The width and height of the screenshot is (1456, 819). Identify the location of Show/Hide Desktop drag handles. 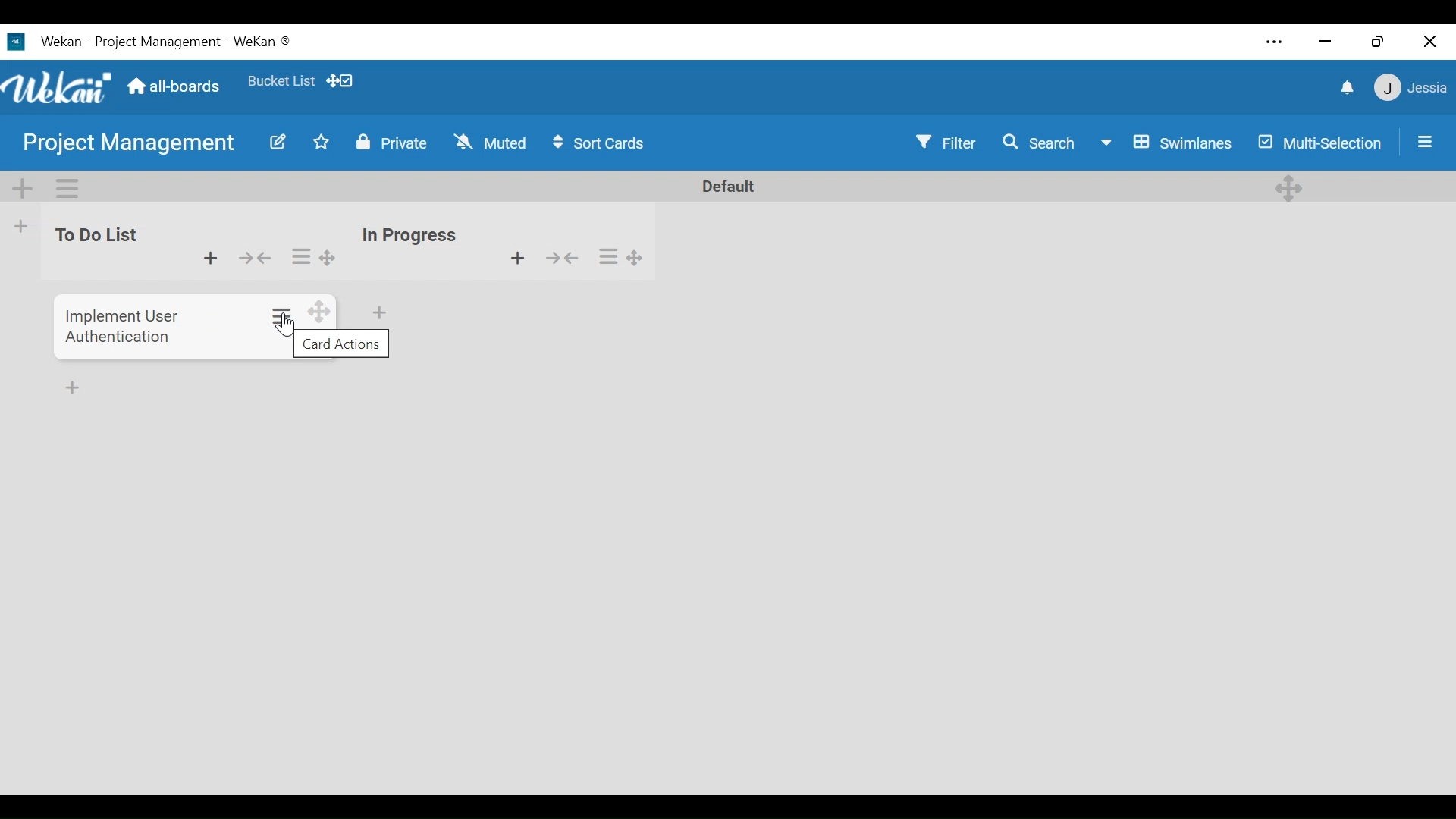
(339, 81).